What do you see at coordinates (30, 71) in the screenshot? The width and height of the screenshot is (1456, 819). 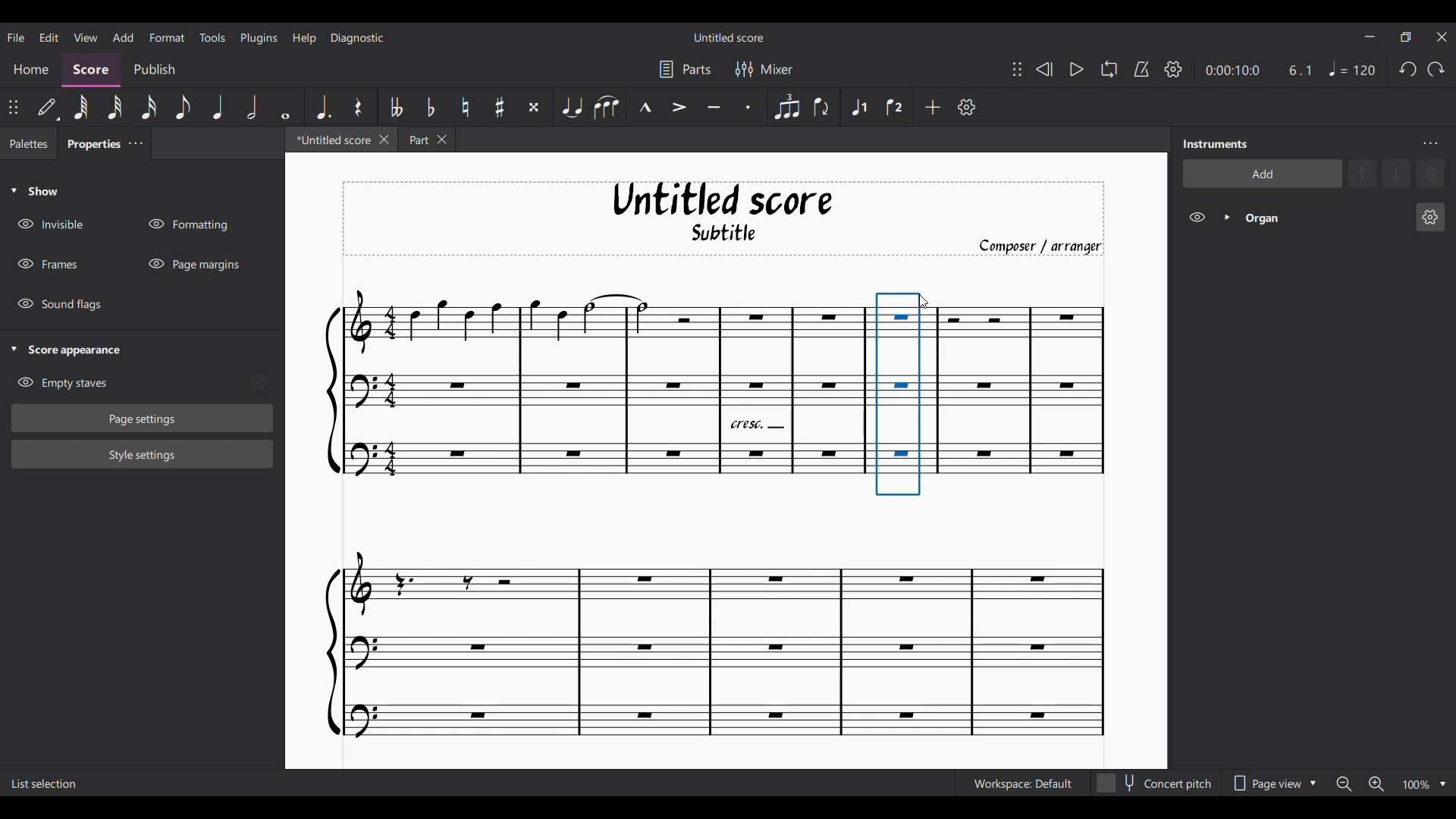 I see `Home section` at bounding box center [30, 71].